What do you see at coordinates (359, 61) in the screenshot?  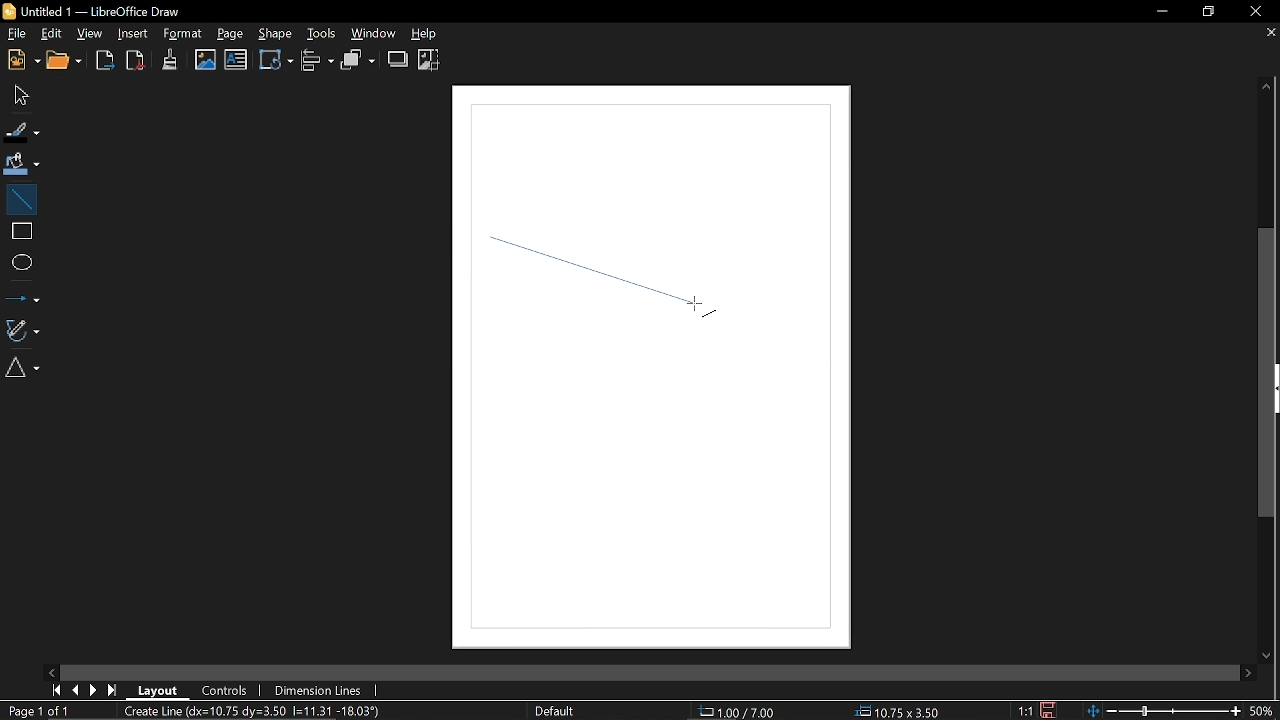 I see `Arrange` at bounding box center [359, 61].